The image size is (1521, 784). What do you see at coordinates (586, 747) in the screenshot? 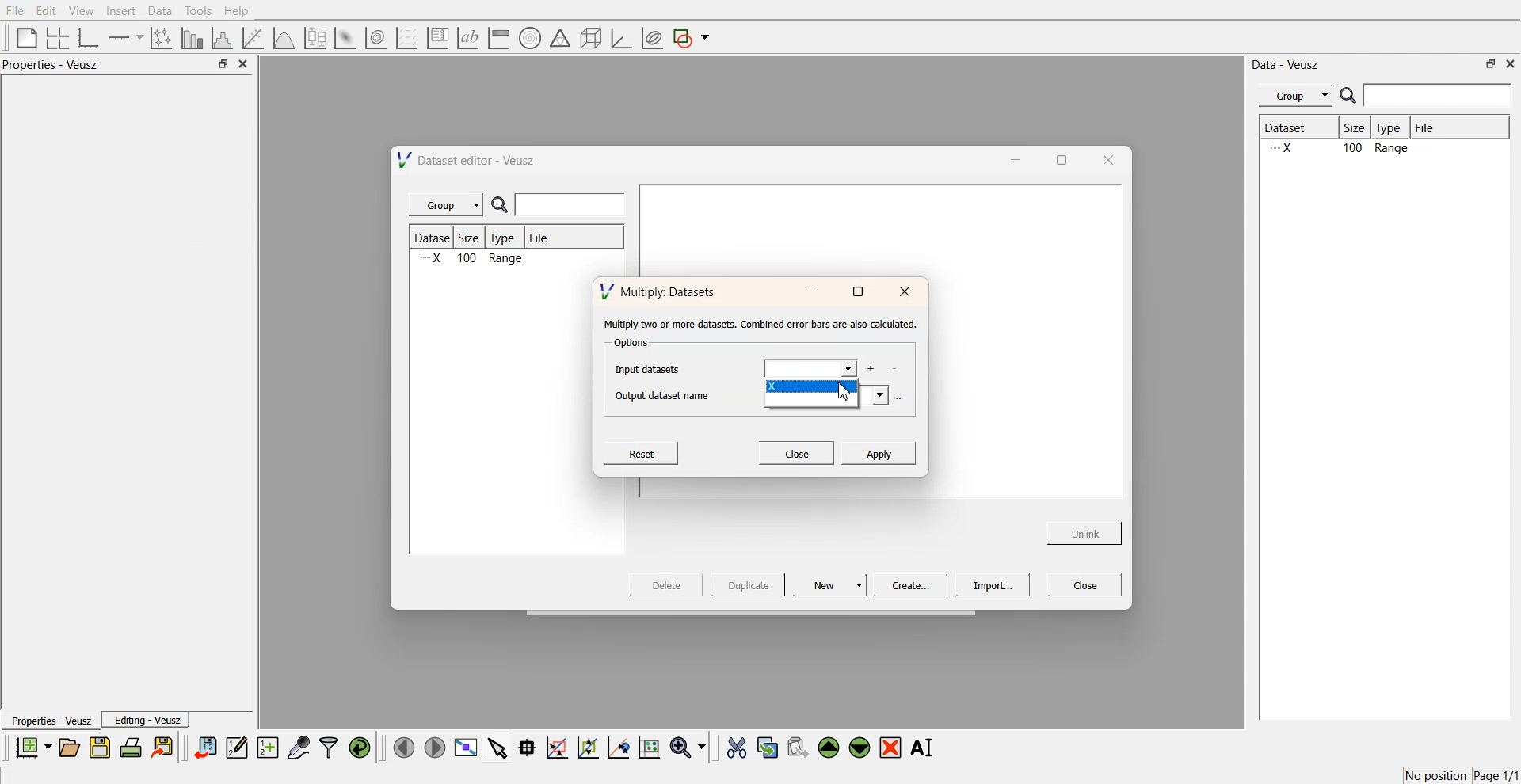
I see `zoom out the graph axes` at bounding box center [586, 747].